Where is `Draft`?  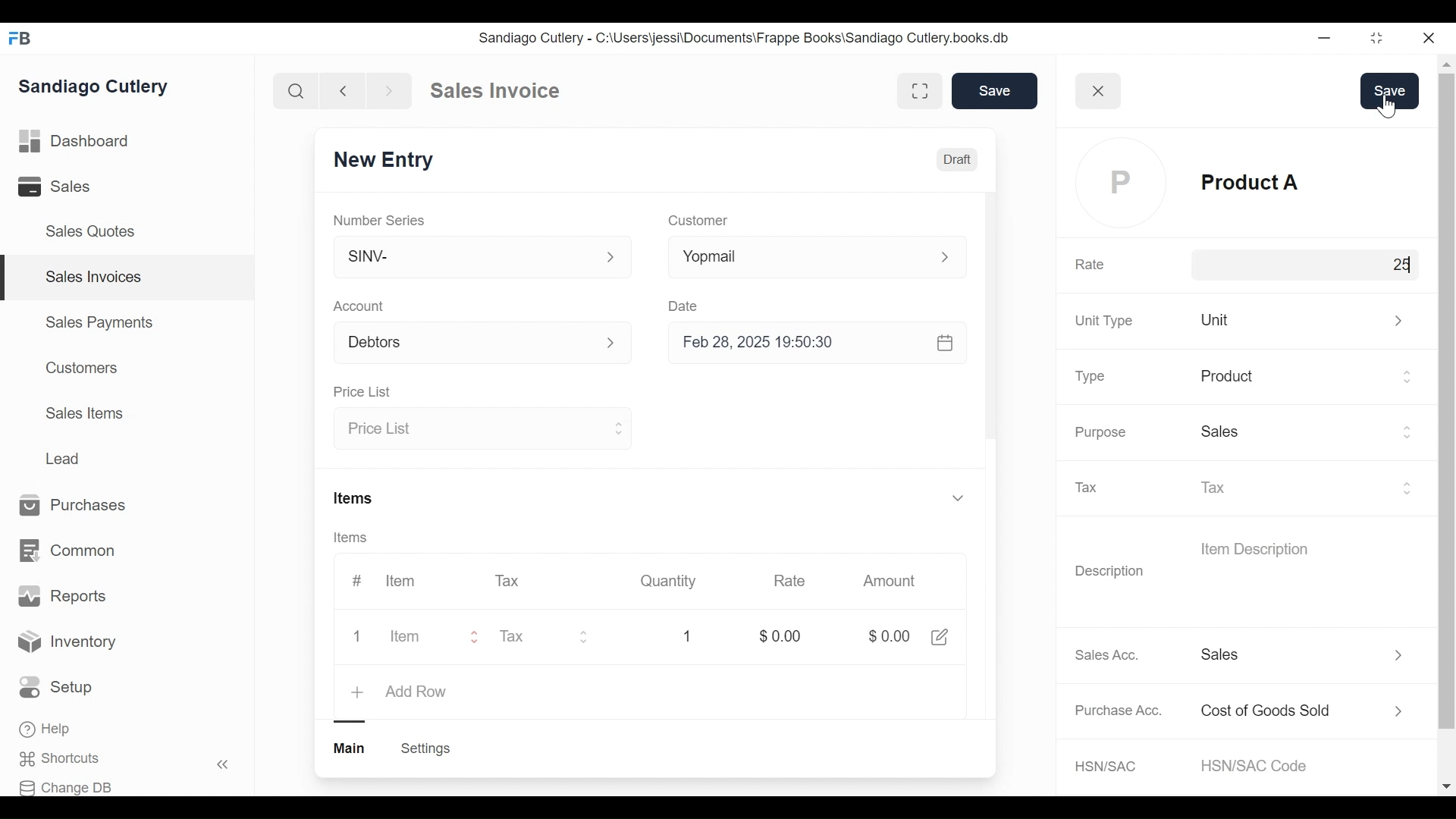
Draft is located at coordinates (958, 162).